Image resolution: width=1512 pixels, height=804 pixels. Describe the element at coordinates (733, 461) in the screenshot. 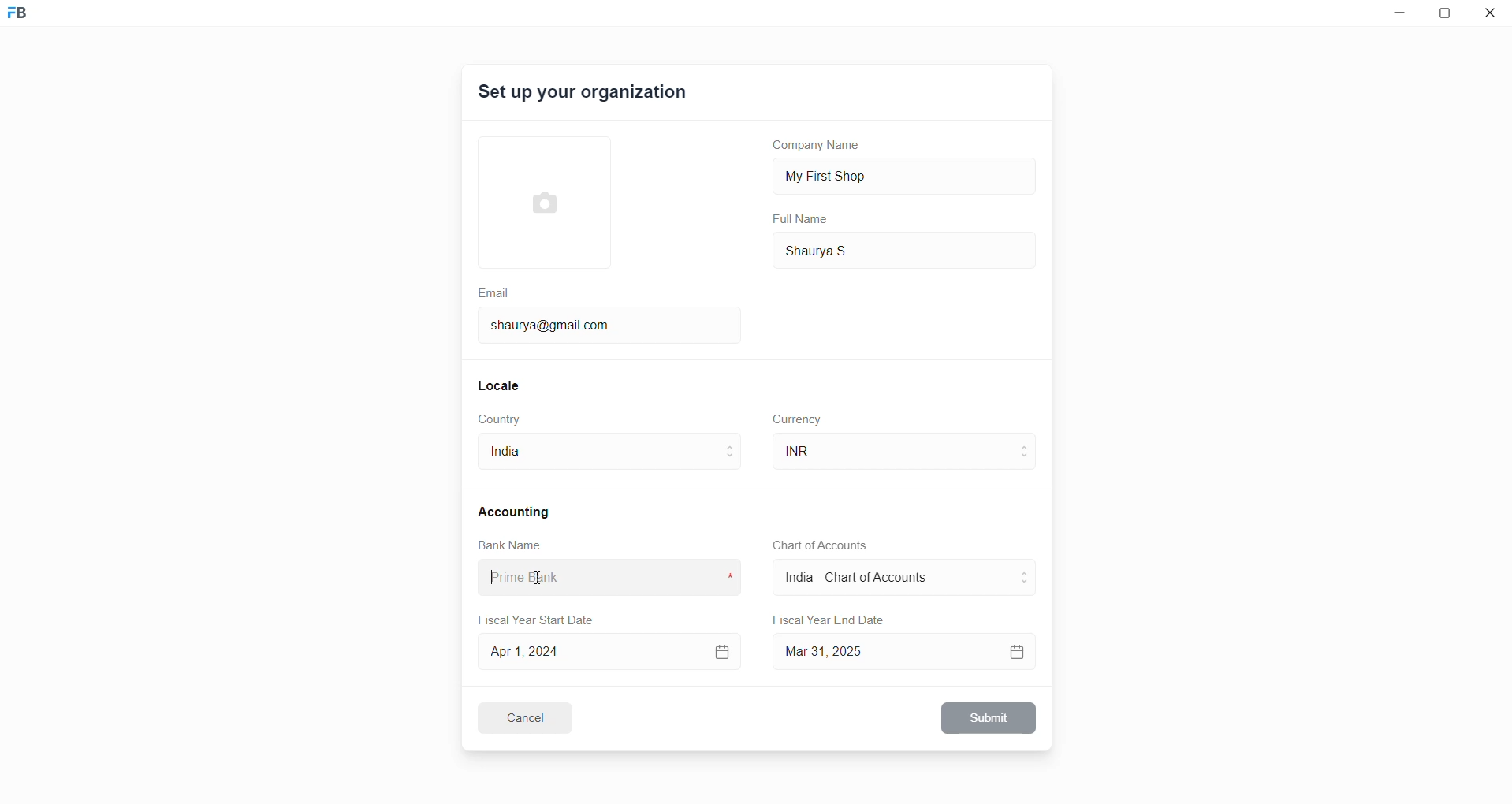

I see `move to below country` at that location.